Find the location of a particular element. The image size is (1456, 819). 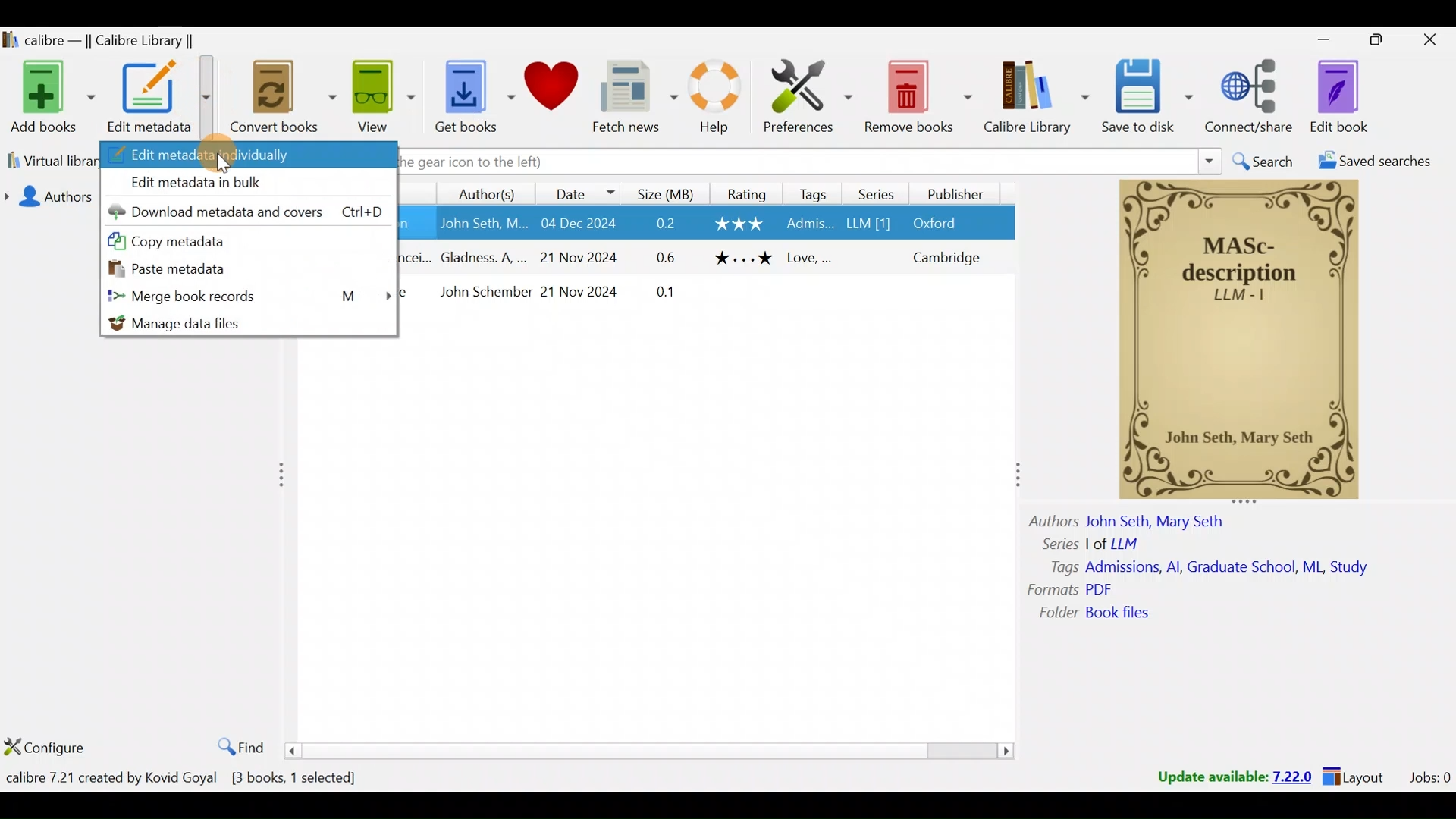

Authors is located at coordinates (489, 192).